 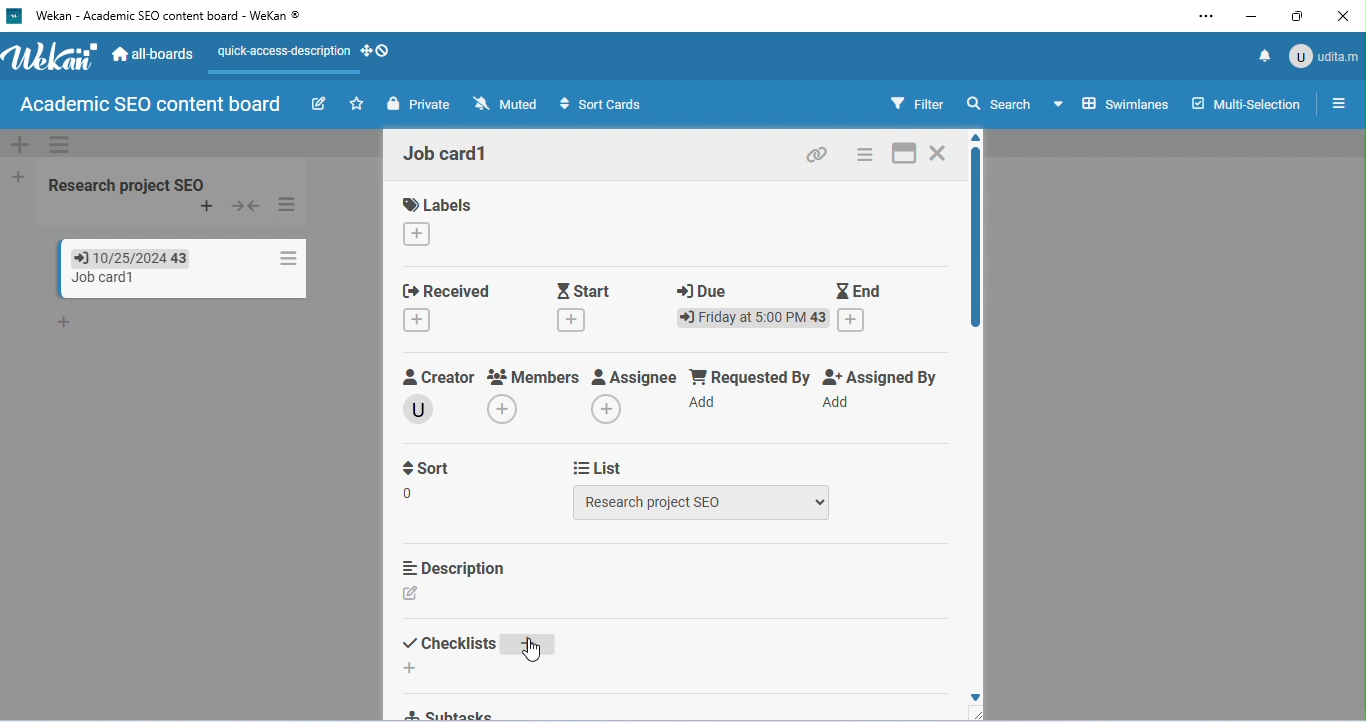 I want to click on list, so click(x=600, y=466).